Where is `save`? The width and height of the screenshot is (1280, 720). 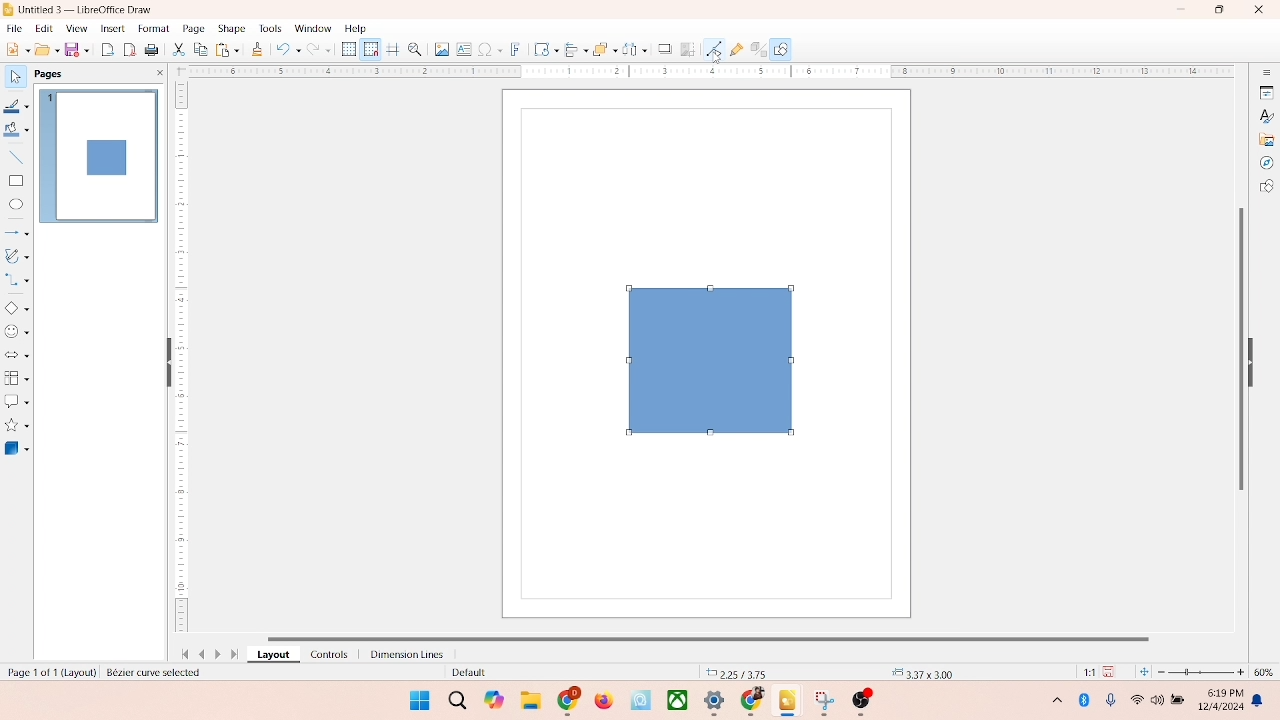
save is located at coordinates (1112, 671).